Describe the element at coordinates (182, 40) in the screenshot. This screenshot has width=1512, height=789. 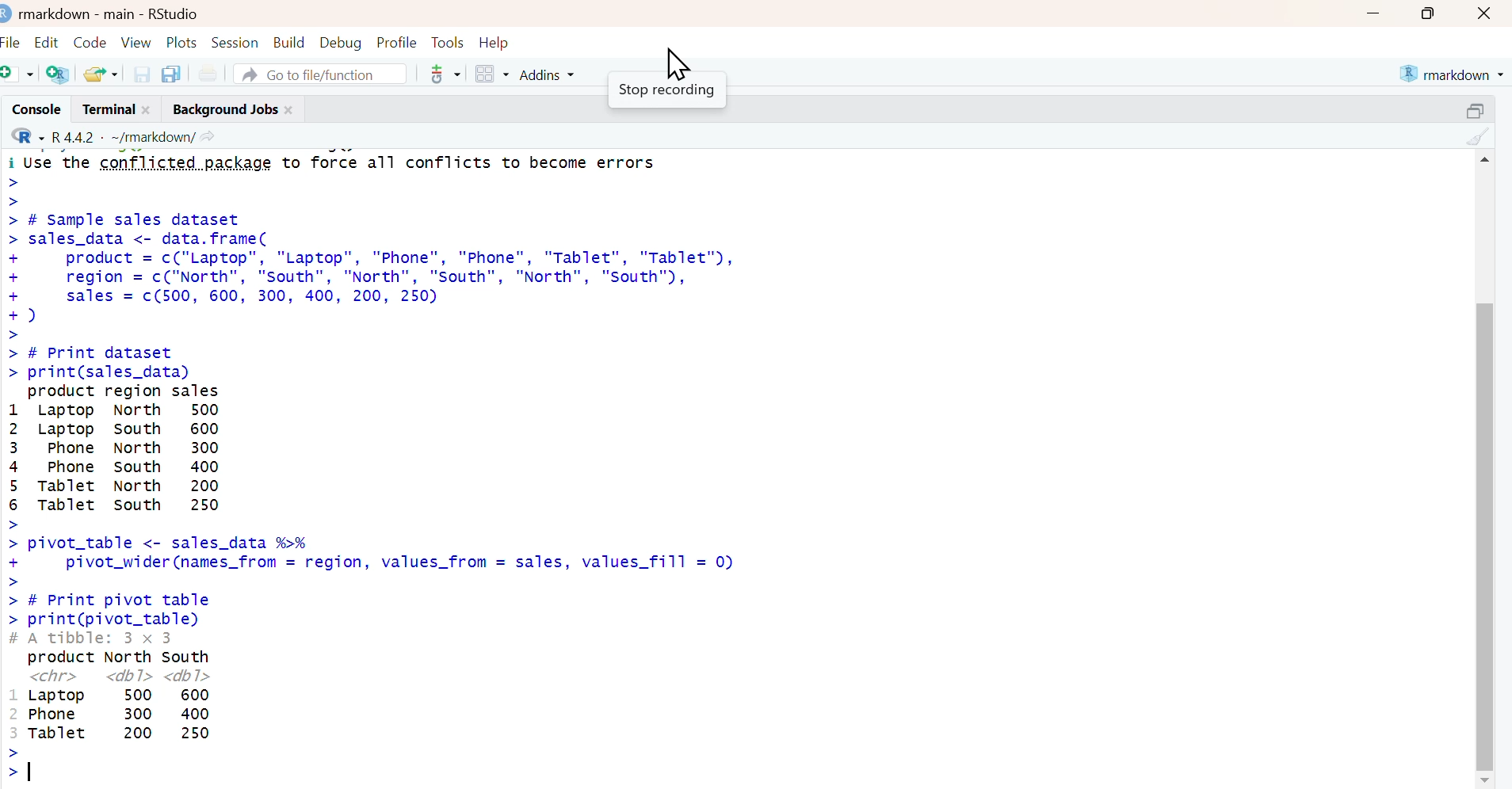
I see `Plots` at that location.